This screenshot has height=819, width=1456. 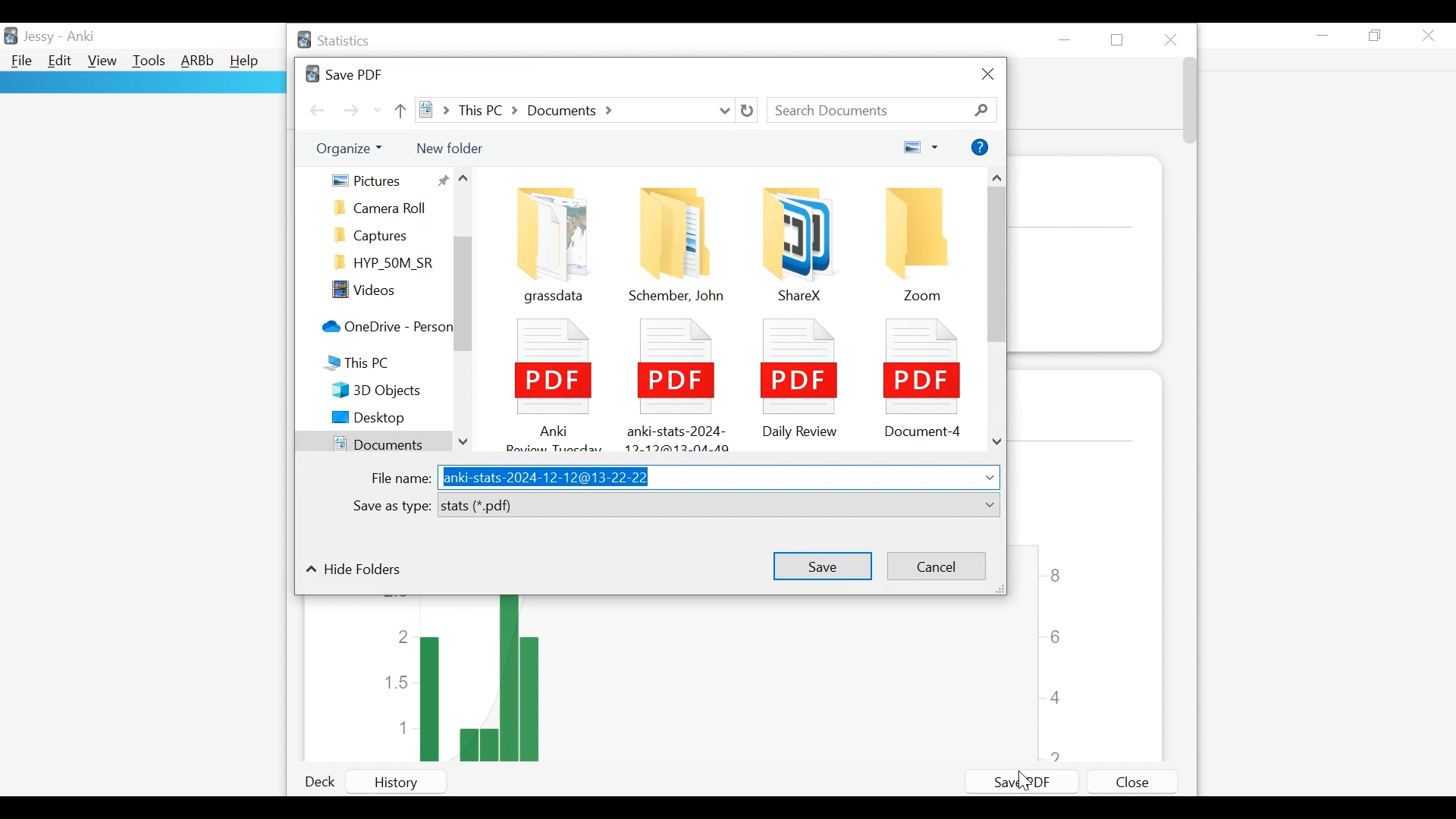 I want to click on Save, so click(x=821, y=564).